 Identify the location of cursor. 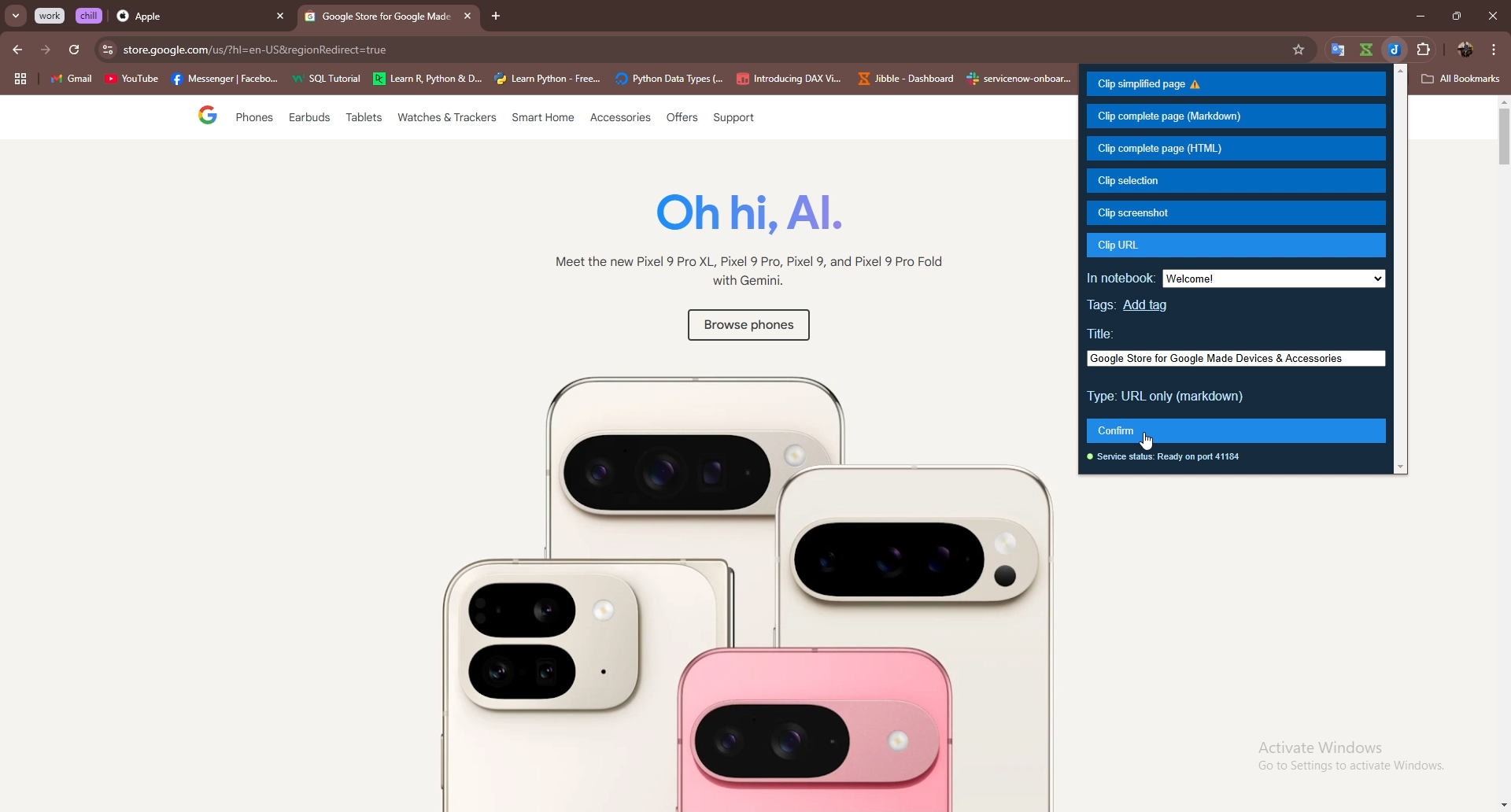
(1147, 441).